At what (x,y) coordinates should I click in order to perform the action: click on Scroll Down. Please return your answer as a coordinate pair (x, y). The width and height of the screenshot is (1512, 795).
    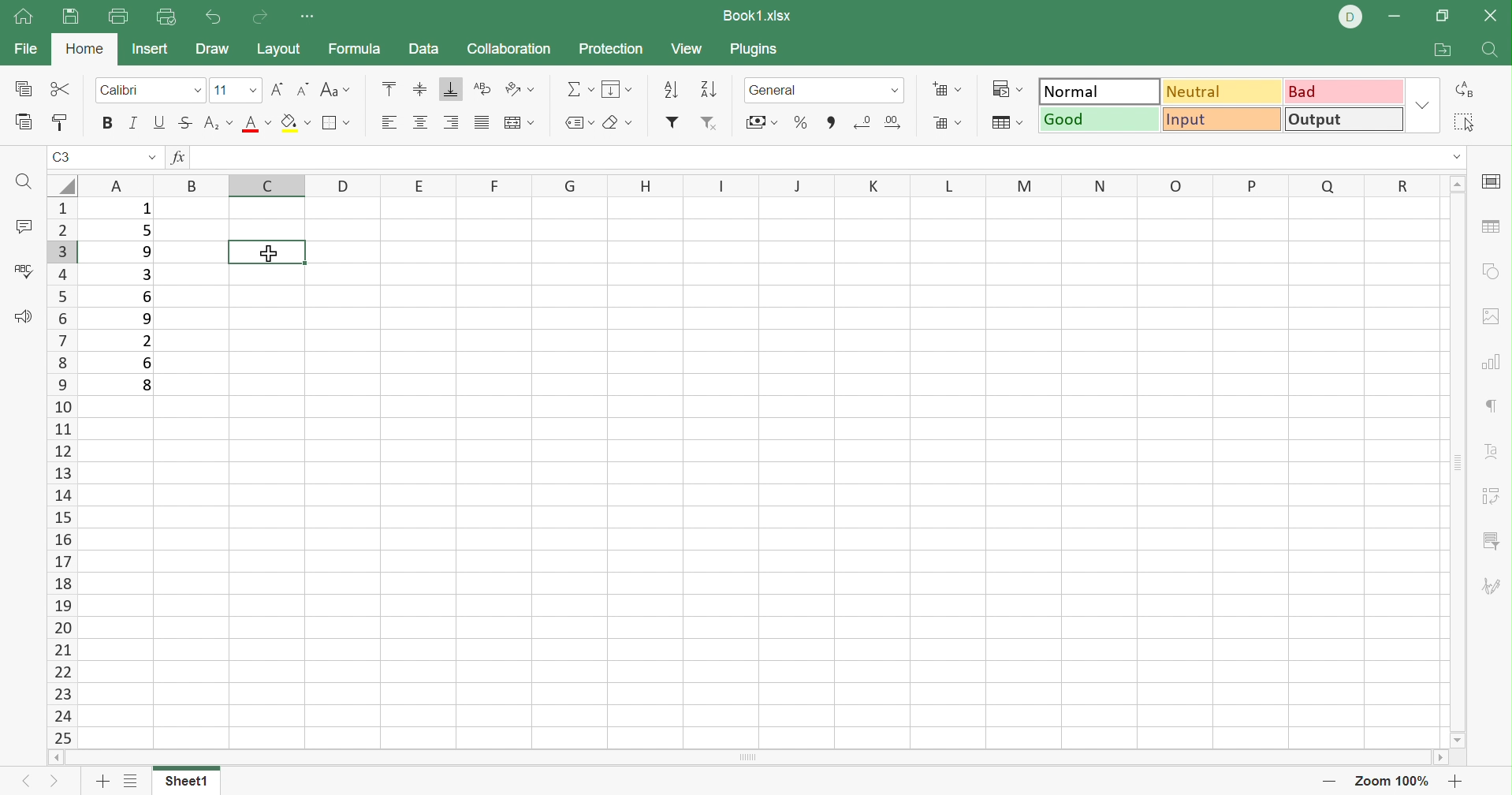
    Looking at the image, I should click on (1461, 739).